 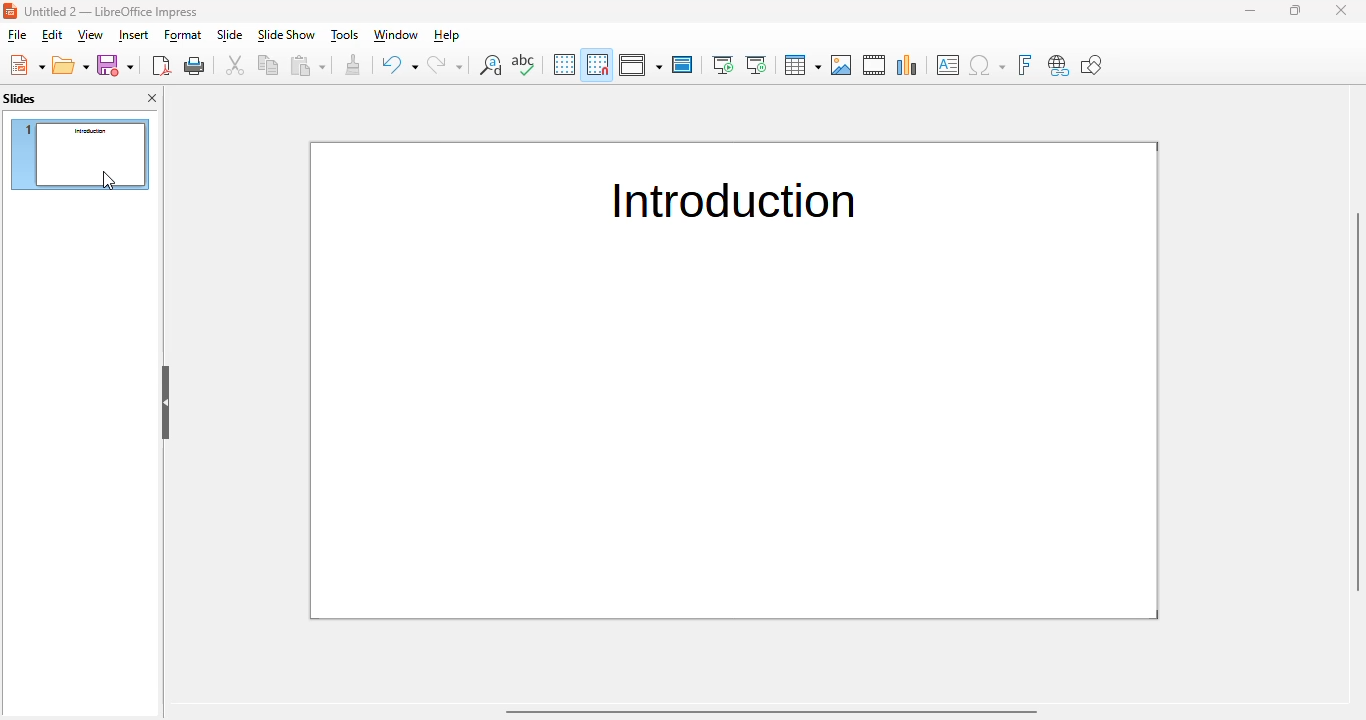 I want to click on insert fontwork text, so click(x=1024, y=65).